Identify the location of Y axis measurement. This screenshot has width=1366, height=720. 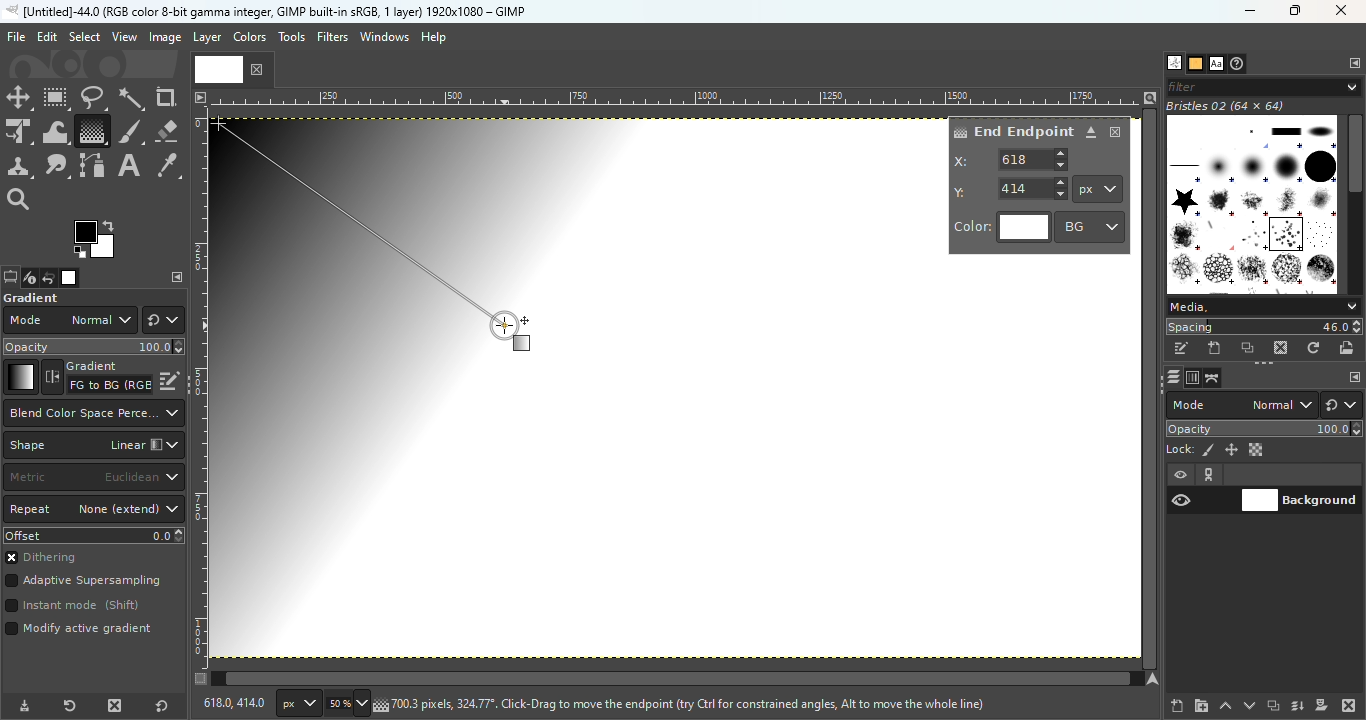
(1011, 187).